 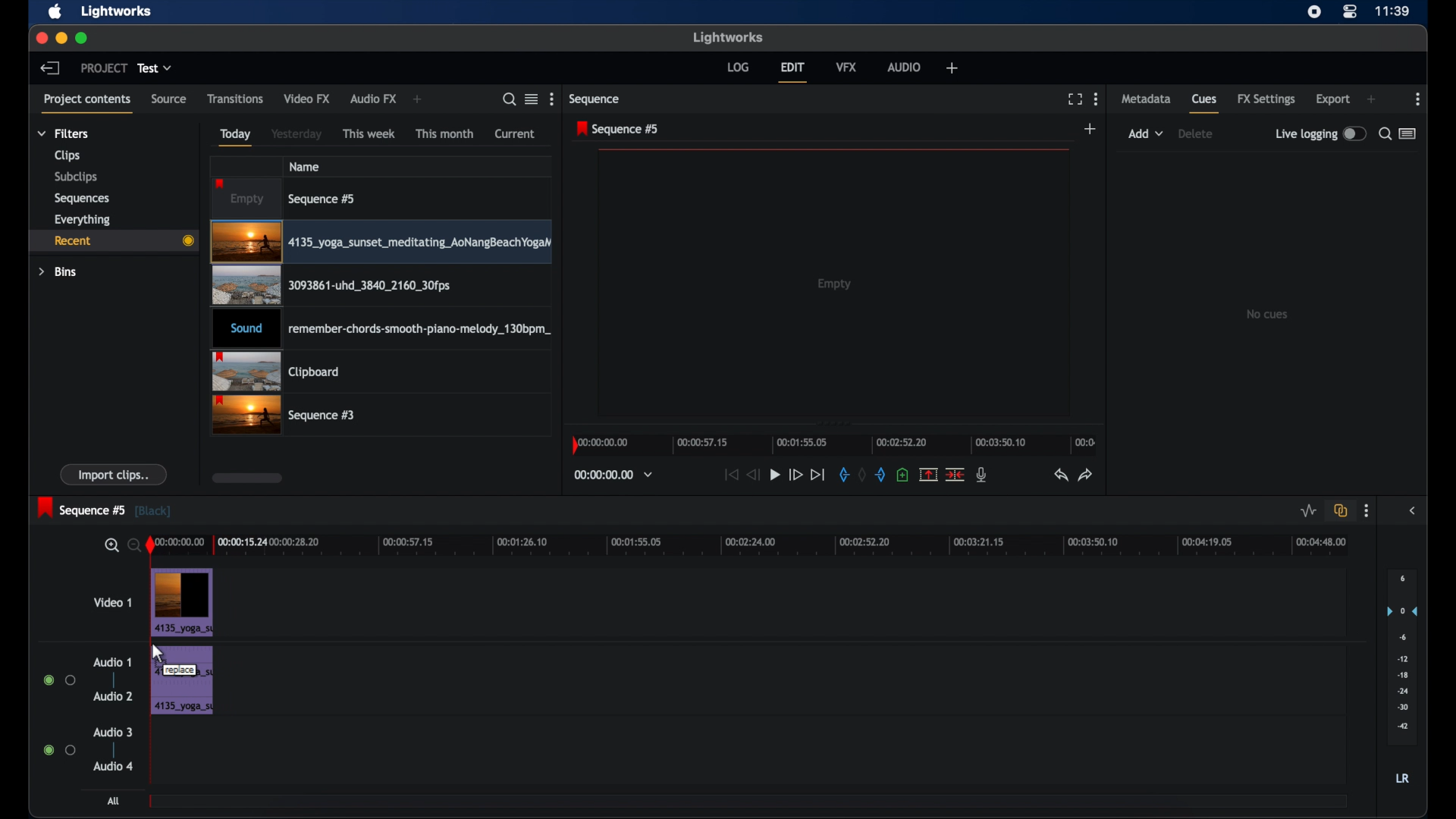 I want to click on maximize, so click(x=82, y=38).